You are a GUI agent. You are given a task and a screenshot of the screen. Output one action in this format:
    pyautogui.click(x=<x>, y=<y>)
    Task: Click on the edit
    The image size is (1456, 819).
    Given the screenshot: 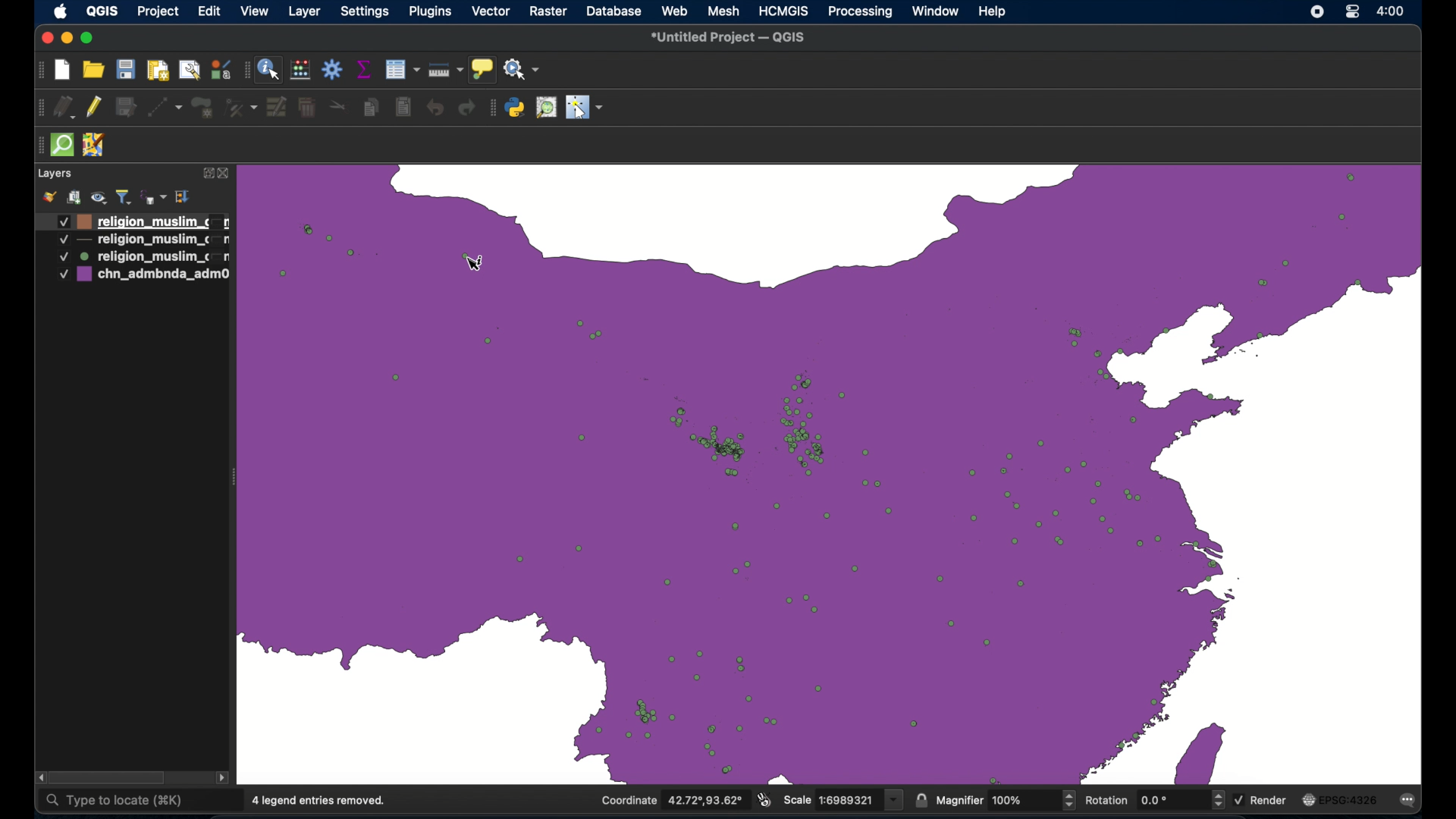 What is the action you would take?
    pyautogui.click(x=209, y=11)
    